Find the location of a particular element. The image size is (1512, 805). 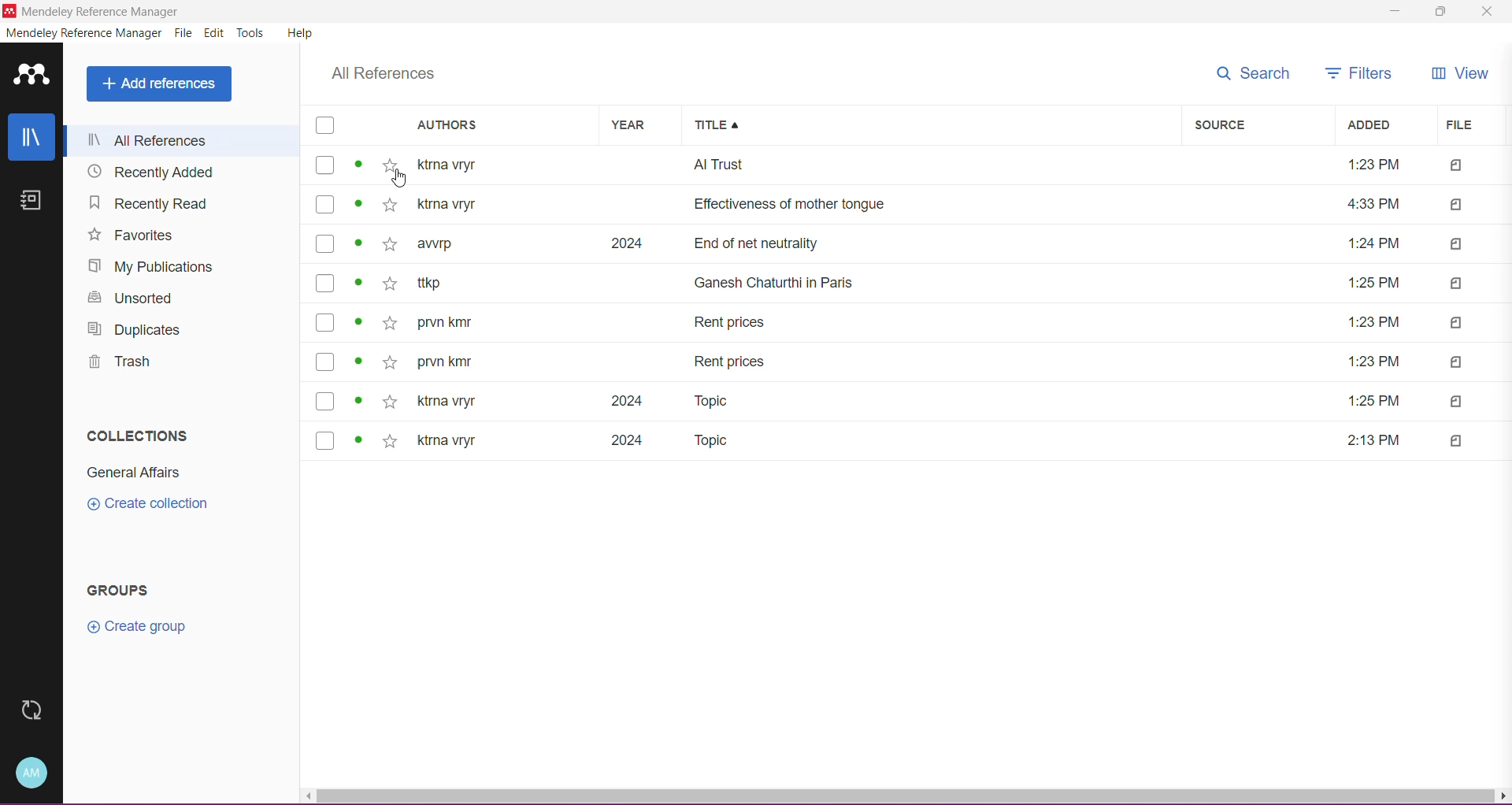

View is located at coordinates (1460, 76).